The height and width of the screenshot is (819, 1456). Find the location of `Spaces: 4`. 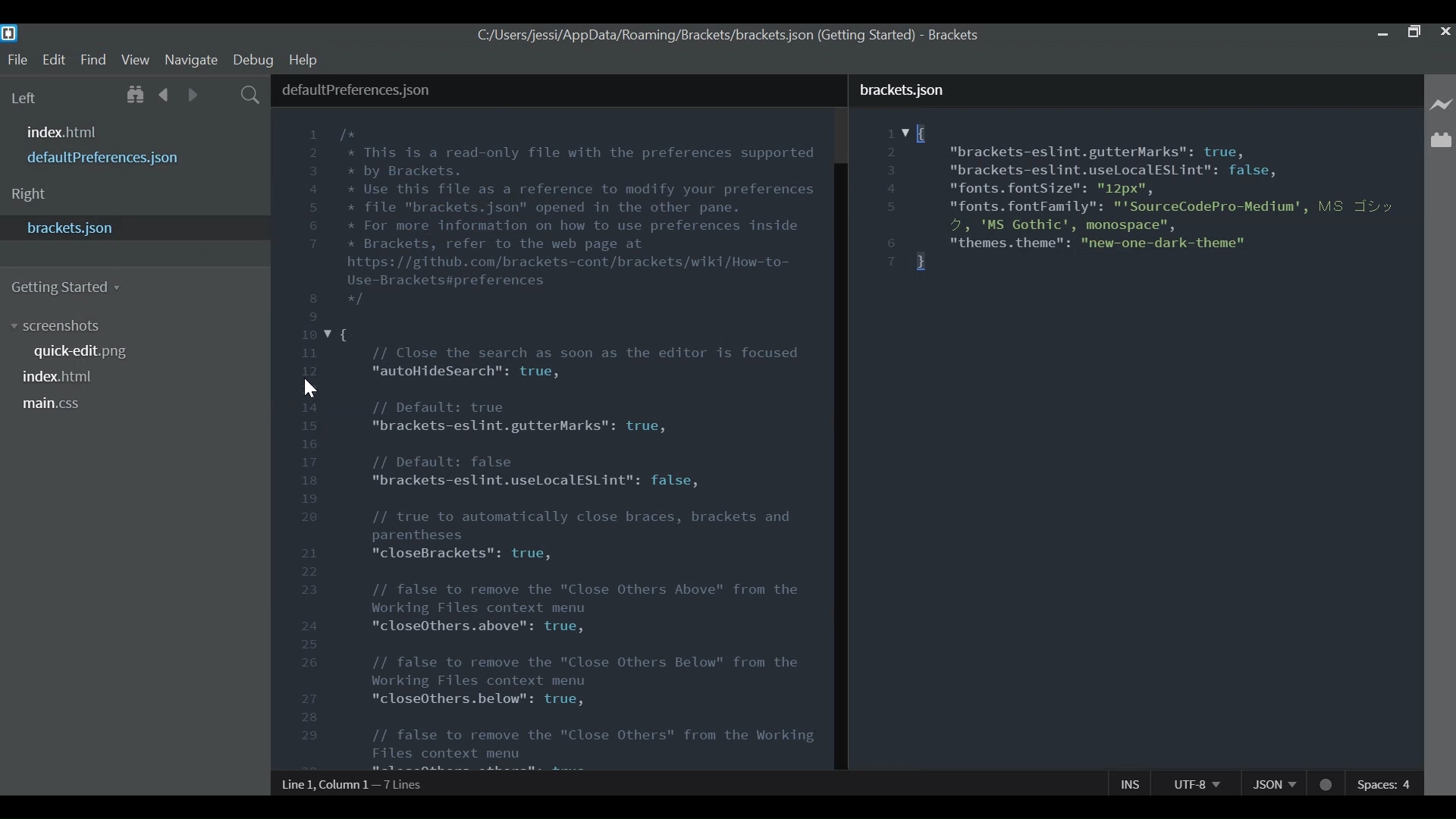

Spaces: 4 is located at coordinates (1385, 783).